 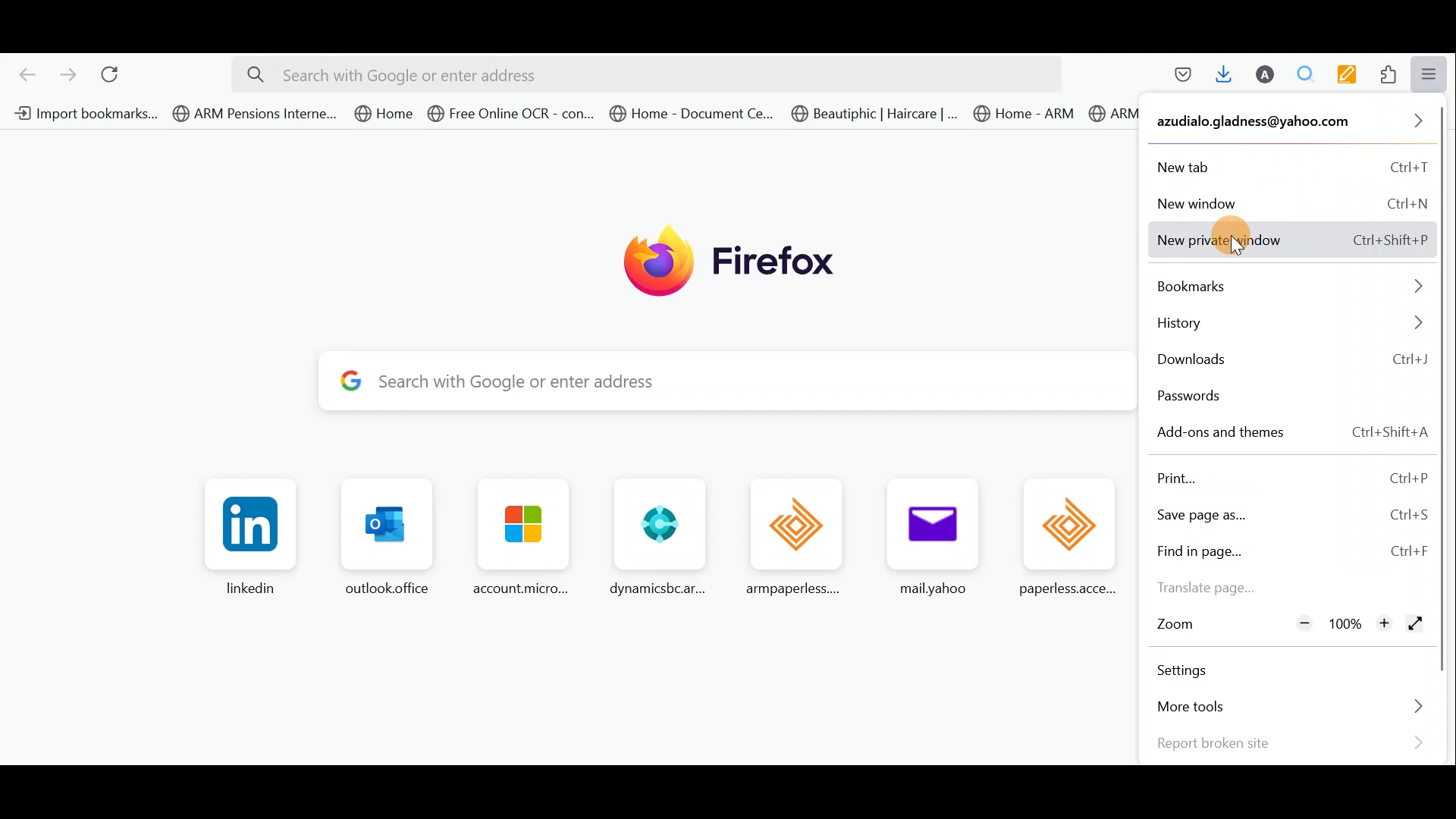 I want to click on Display the window in full screen, so click(x=1415, y=625).